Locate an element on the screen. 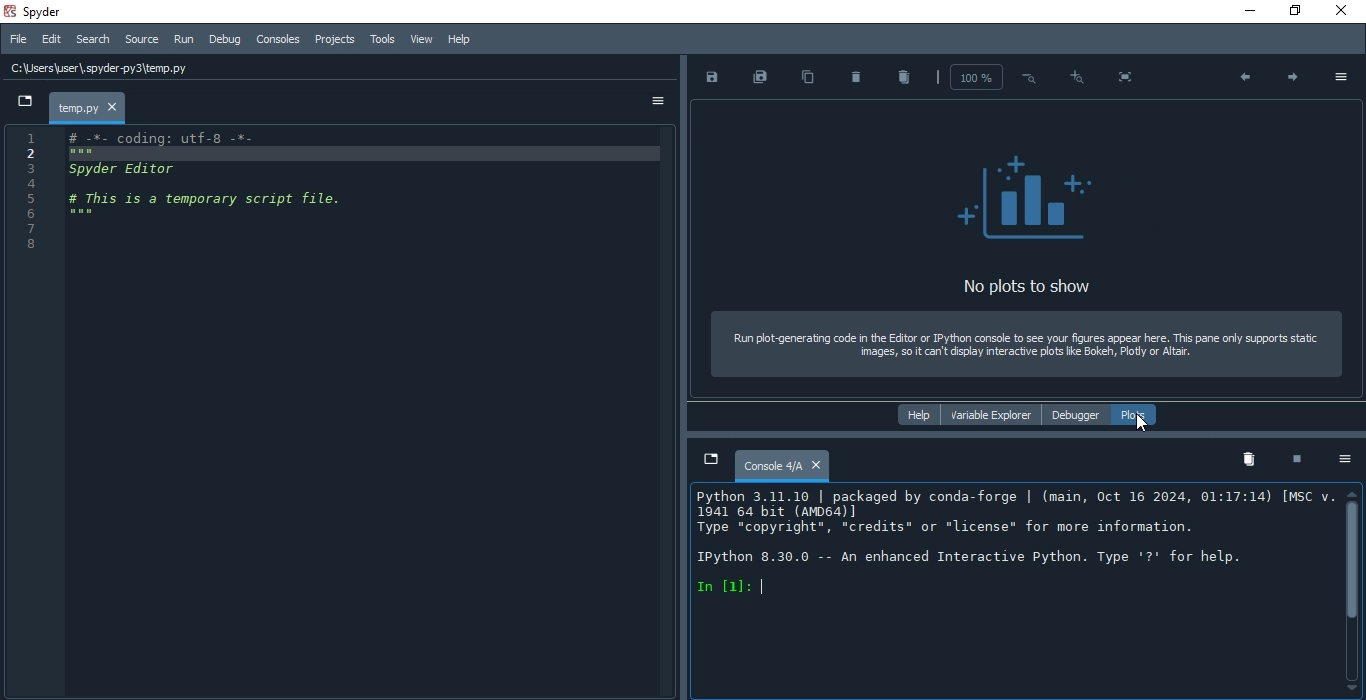  spyder logo is located at coordinates (9, 11).